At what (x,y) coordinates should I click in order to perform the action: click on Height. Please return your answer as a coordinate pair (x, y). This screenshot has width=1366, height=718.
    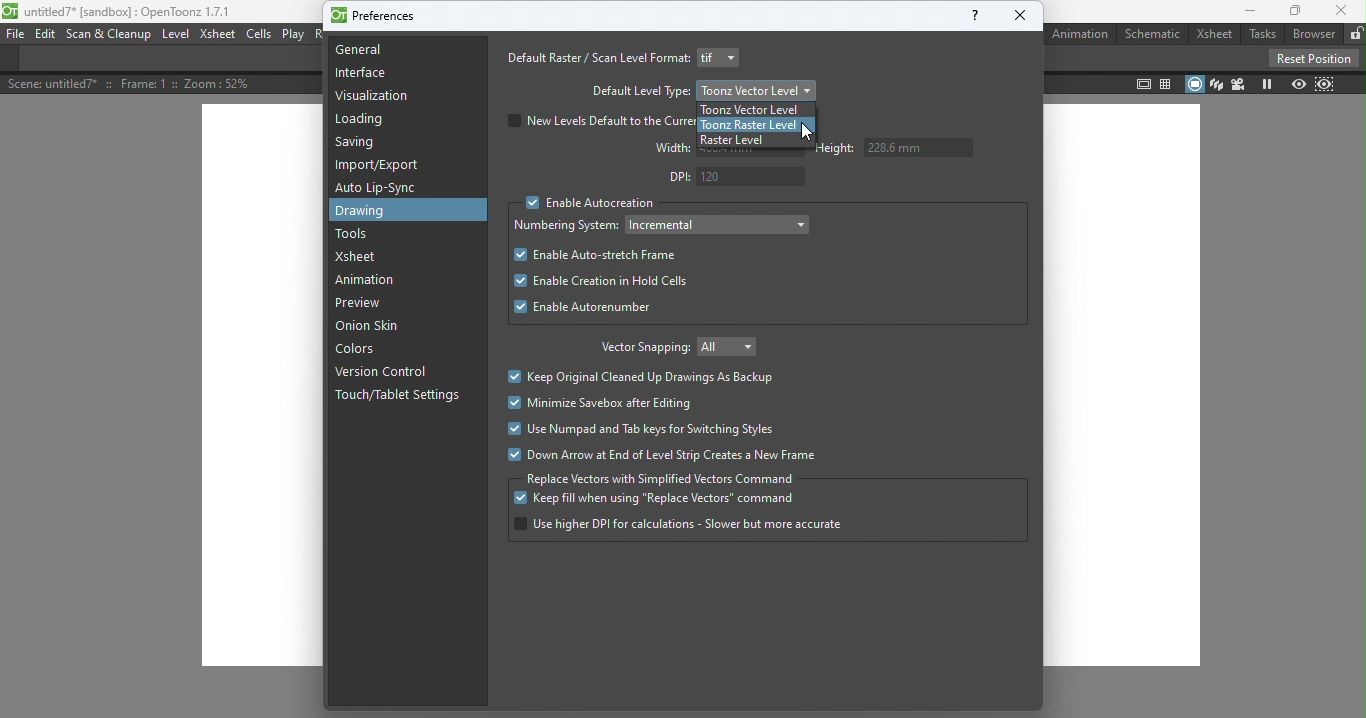
    Looking at the image, I should click on (901, 153).